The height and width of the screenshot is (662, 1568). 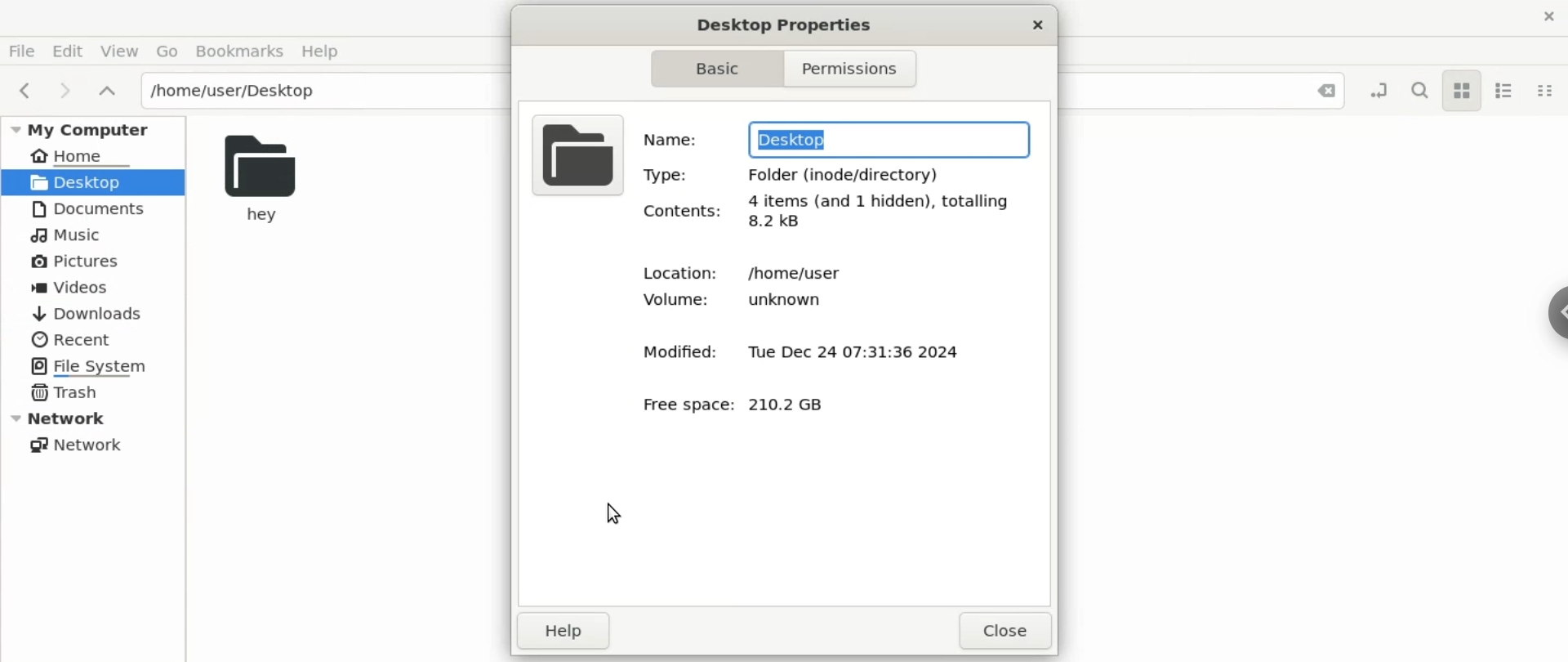 What do you see at coordinates (23, 88) in the screenshot?
I see `previous` at bounding box center [23, 88].